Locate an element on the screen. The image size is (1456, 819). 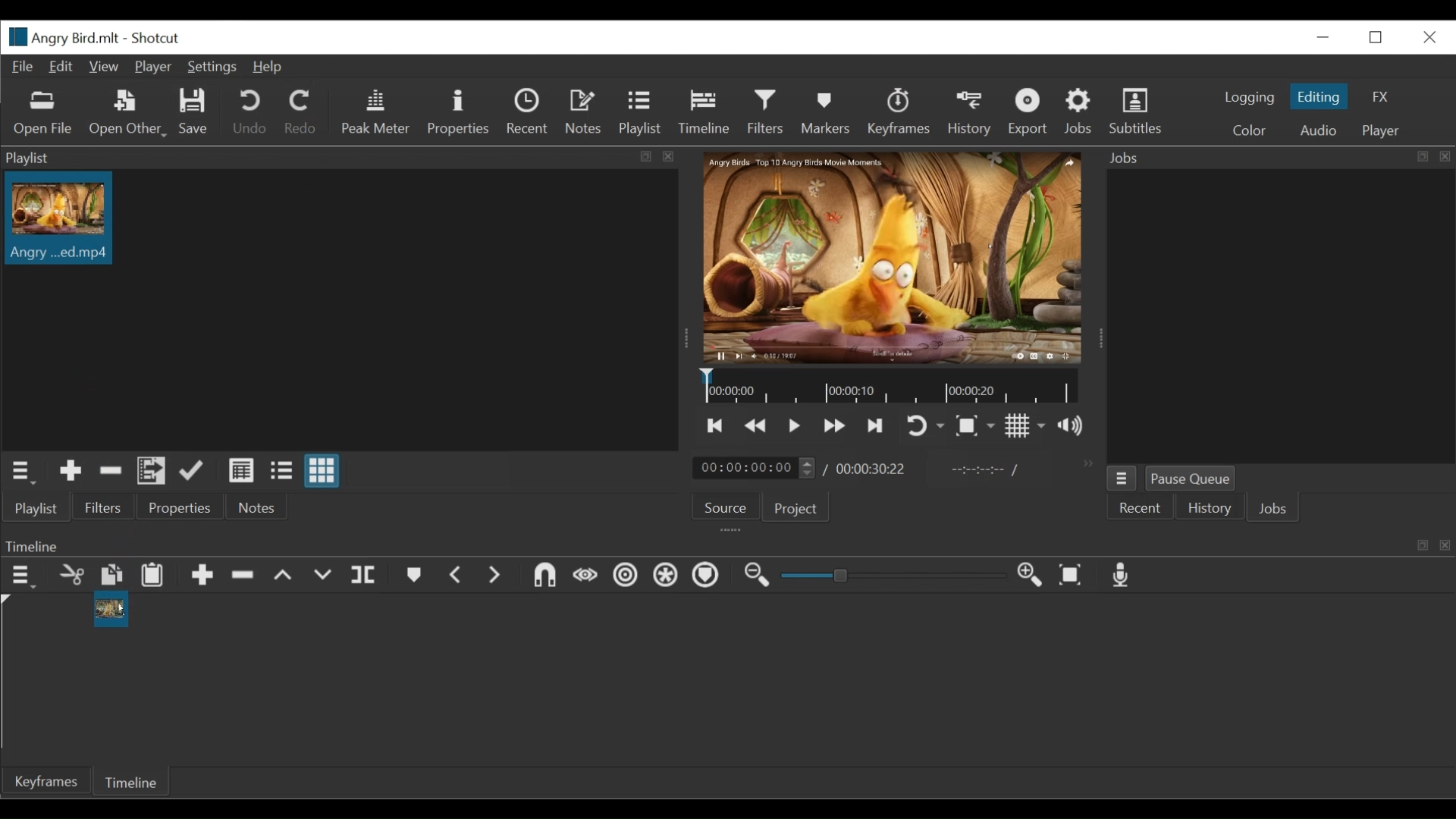
Open Other File is located at coordinates (125, 113).